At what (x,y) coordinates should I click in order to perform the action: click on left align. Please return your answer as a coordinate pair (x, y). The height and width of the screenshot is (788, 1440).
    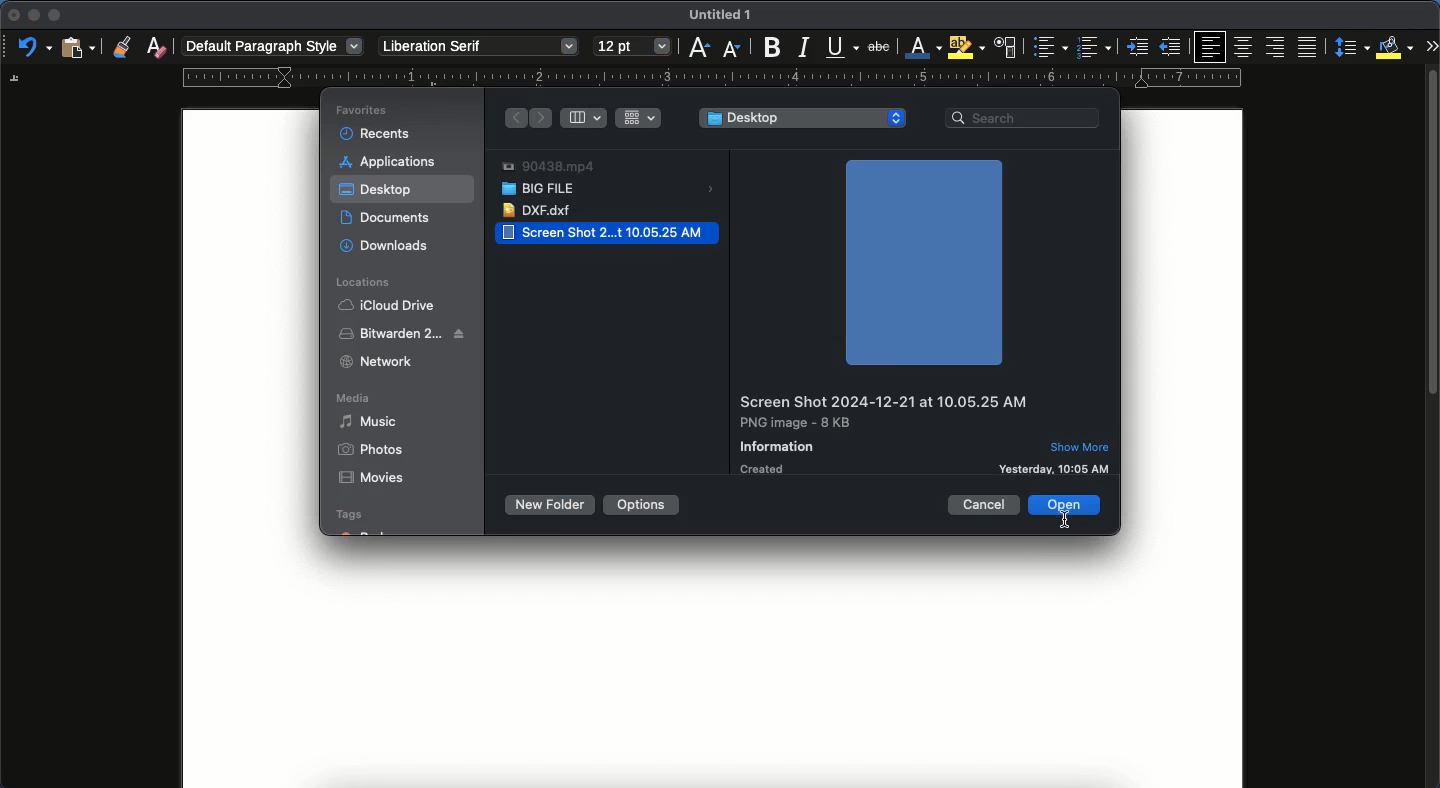
    Looking at the image, I should click on (1212, 46).